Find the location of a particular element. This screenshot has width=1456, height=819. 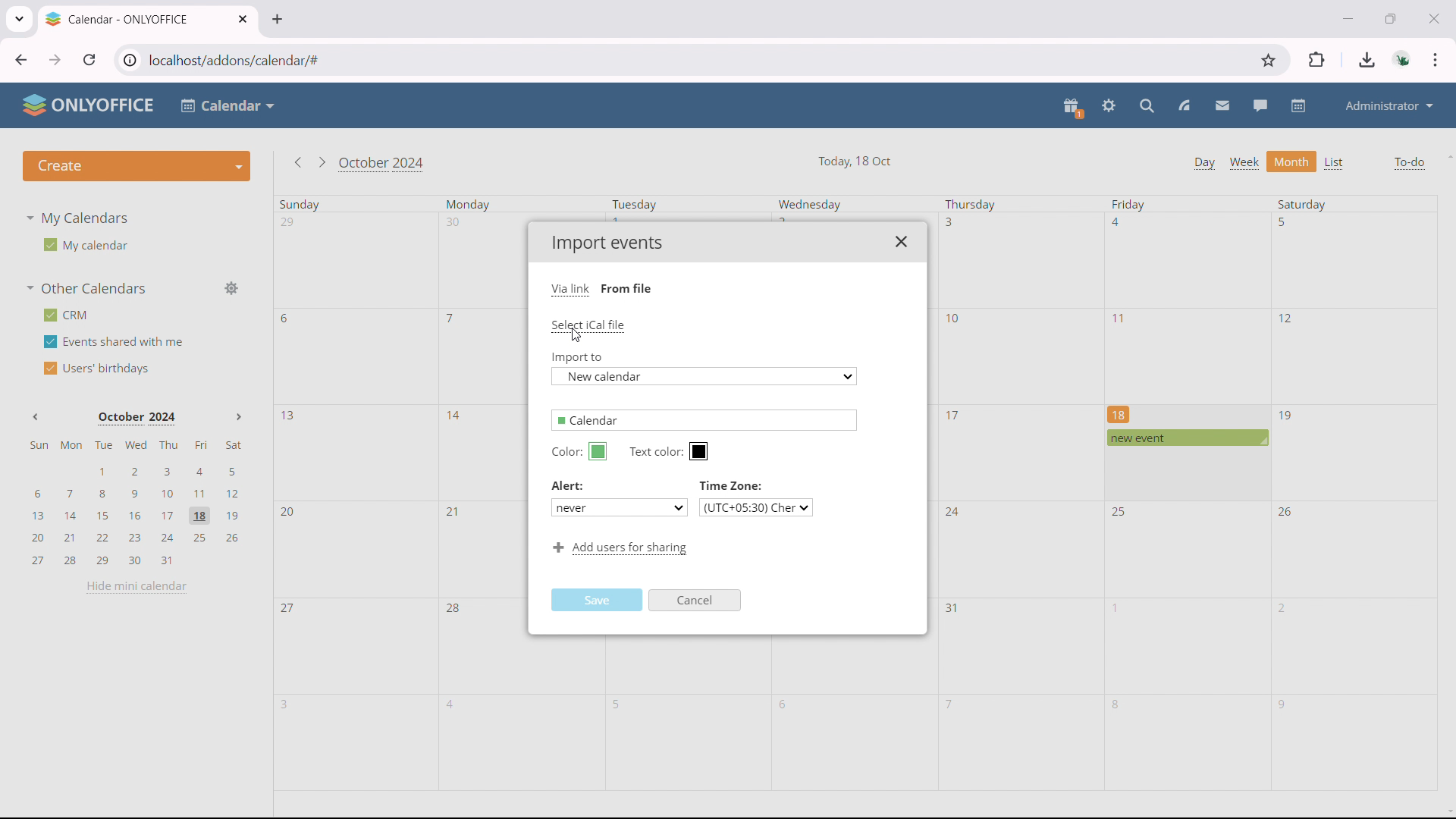

Select iCal file is located at coordinates (613, 325).